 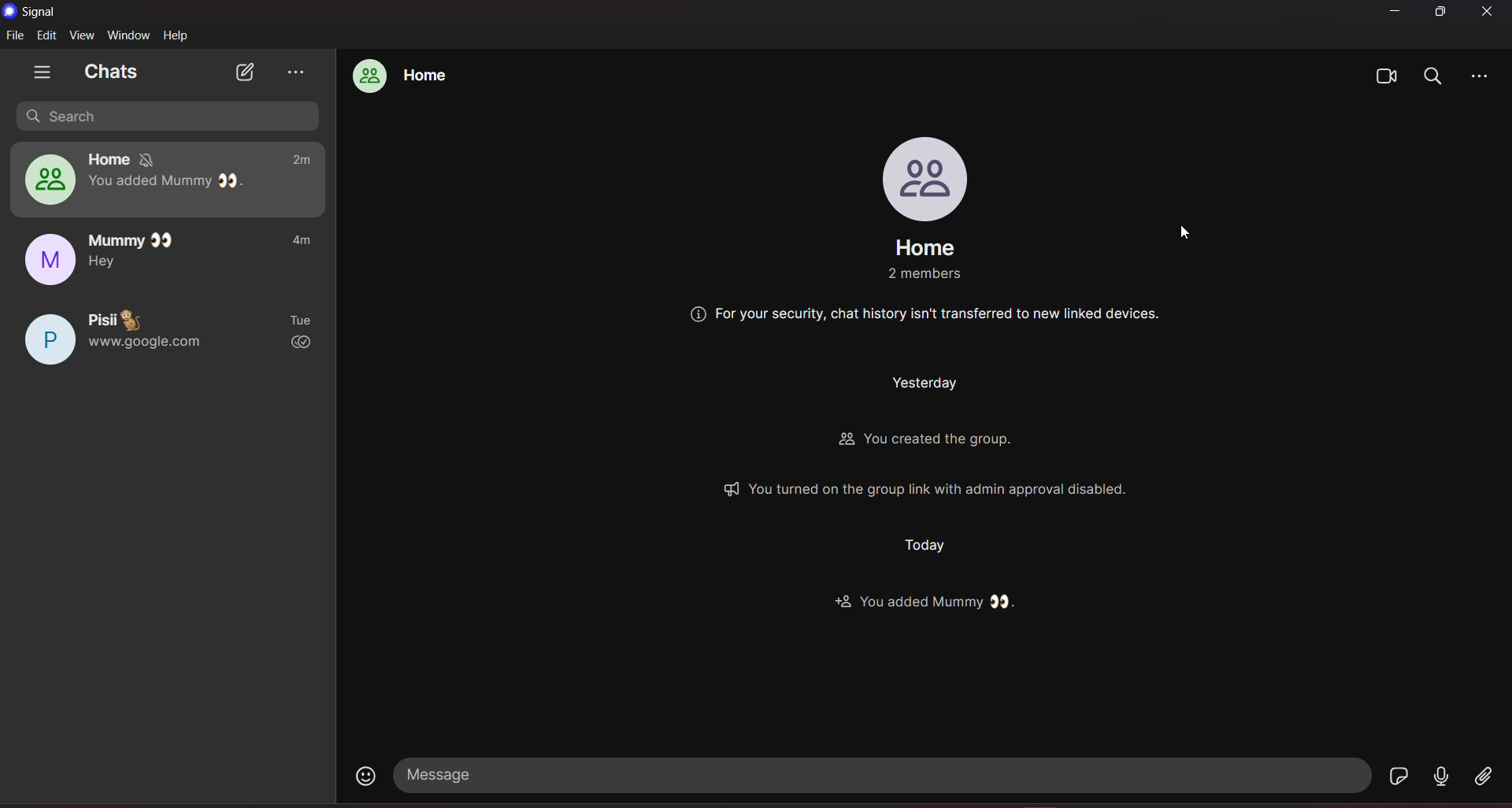 I want to click on edit, so click(x=47, y=34).